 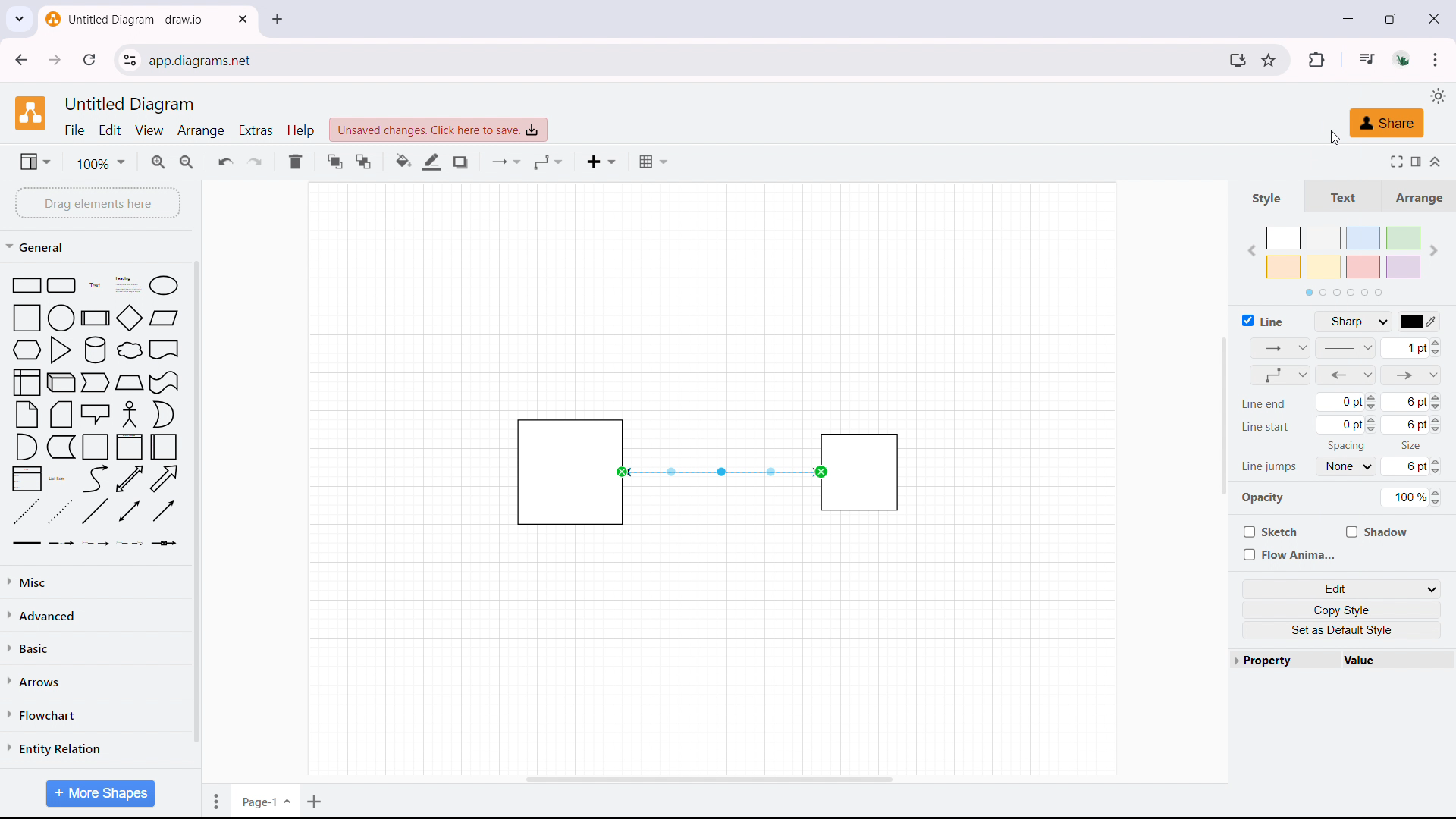 What do you see at coordinates (653, 162) in the screenshot?
I see `table` at bounding box center [653, 162].